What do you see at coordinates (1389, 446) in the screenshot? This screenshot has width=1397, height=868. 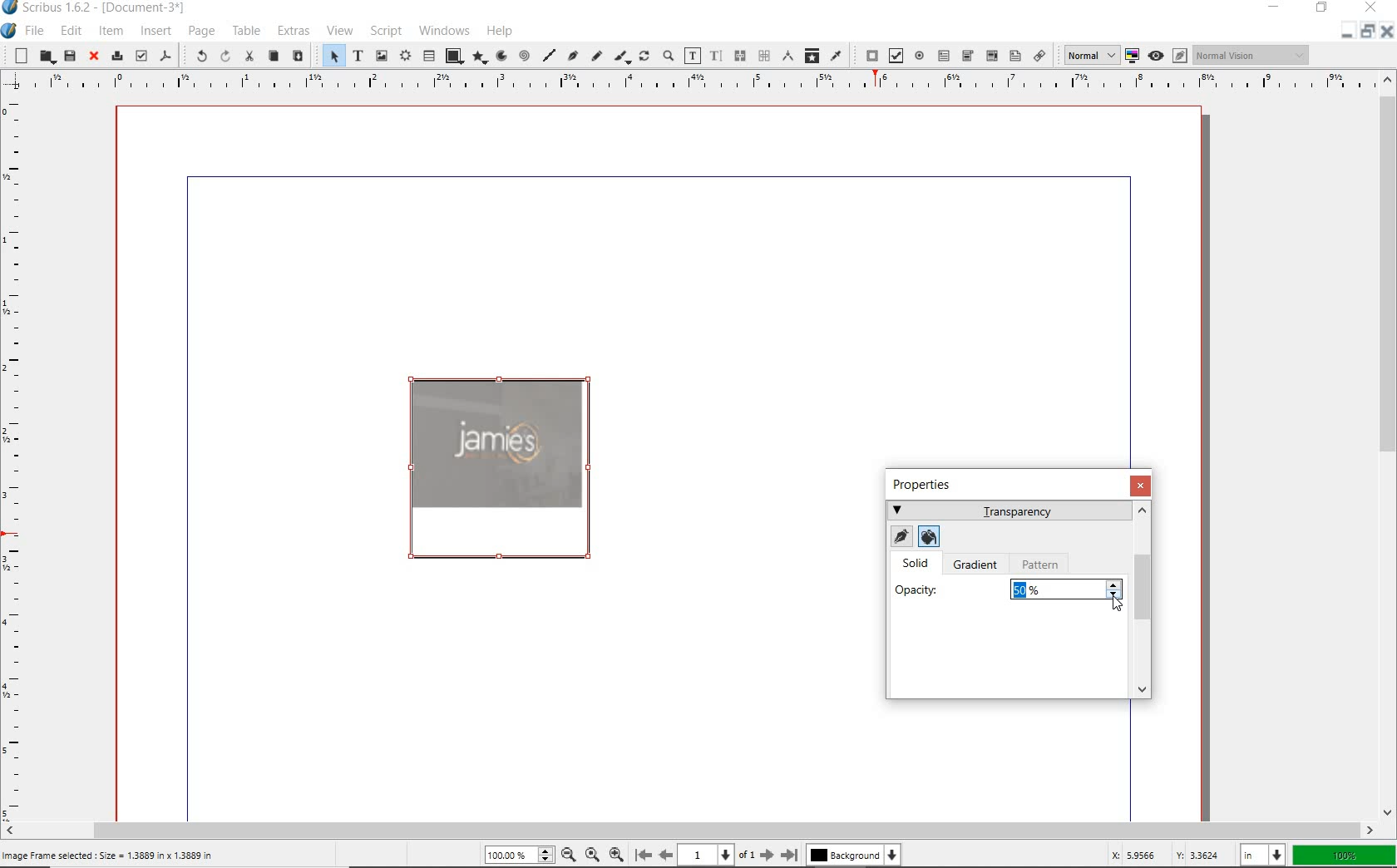 I see `SCROLLBAR` at bounding box center [1389, 446].